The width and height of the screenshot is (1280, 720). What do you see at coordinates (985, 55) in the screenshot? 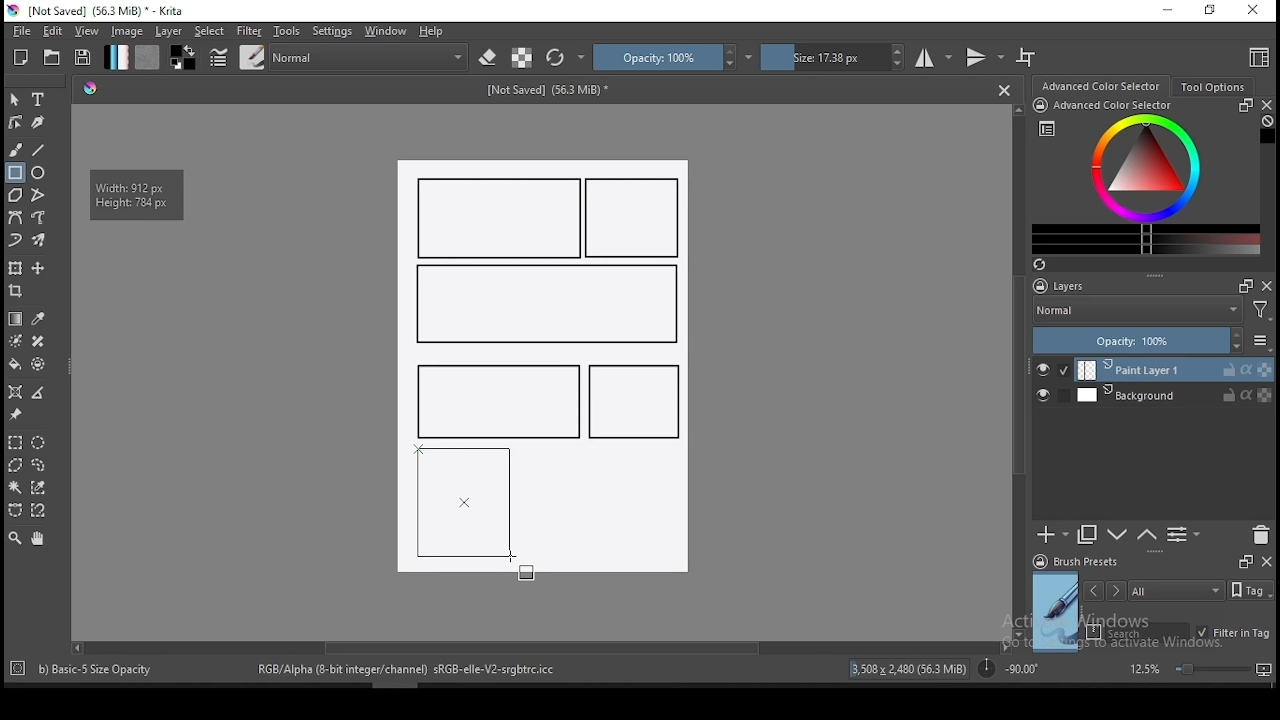
I see `` at bounding box center [985, 55].